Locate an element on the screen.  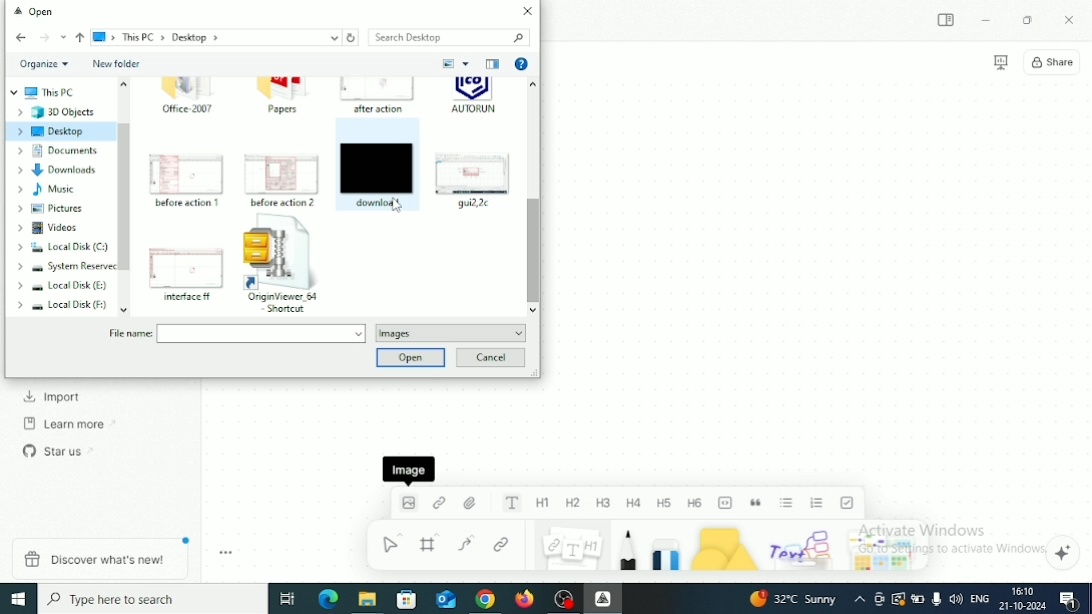
More options is located at coordinates (468, 63).